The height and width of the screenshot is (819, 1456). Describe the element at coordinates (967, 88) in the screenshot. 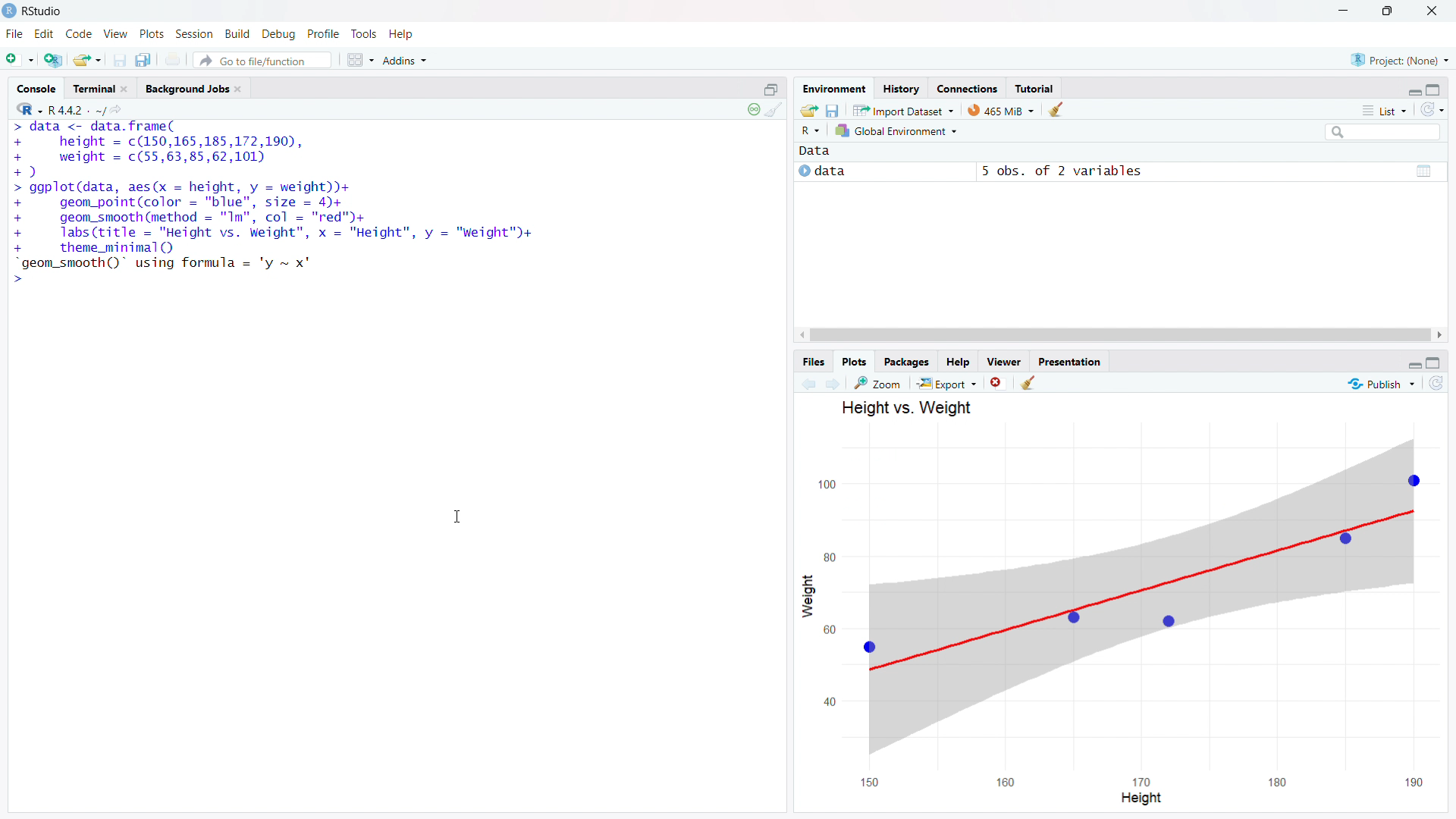

I see `connections` at that location.